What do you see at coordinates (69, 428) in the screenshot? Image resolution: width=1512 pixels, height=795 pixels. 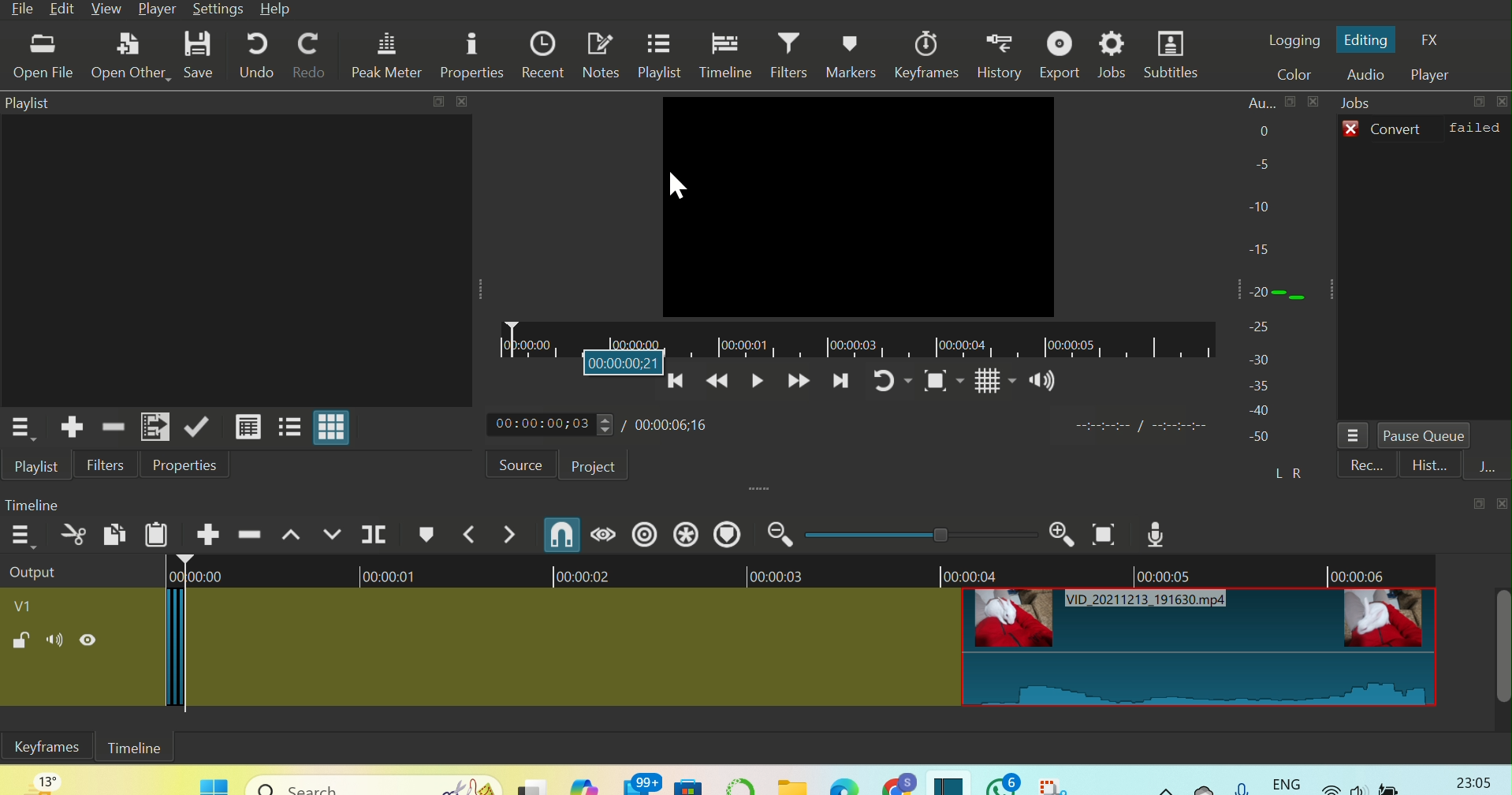 I see `Add` at bounding box center [69, 428].